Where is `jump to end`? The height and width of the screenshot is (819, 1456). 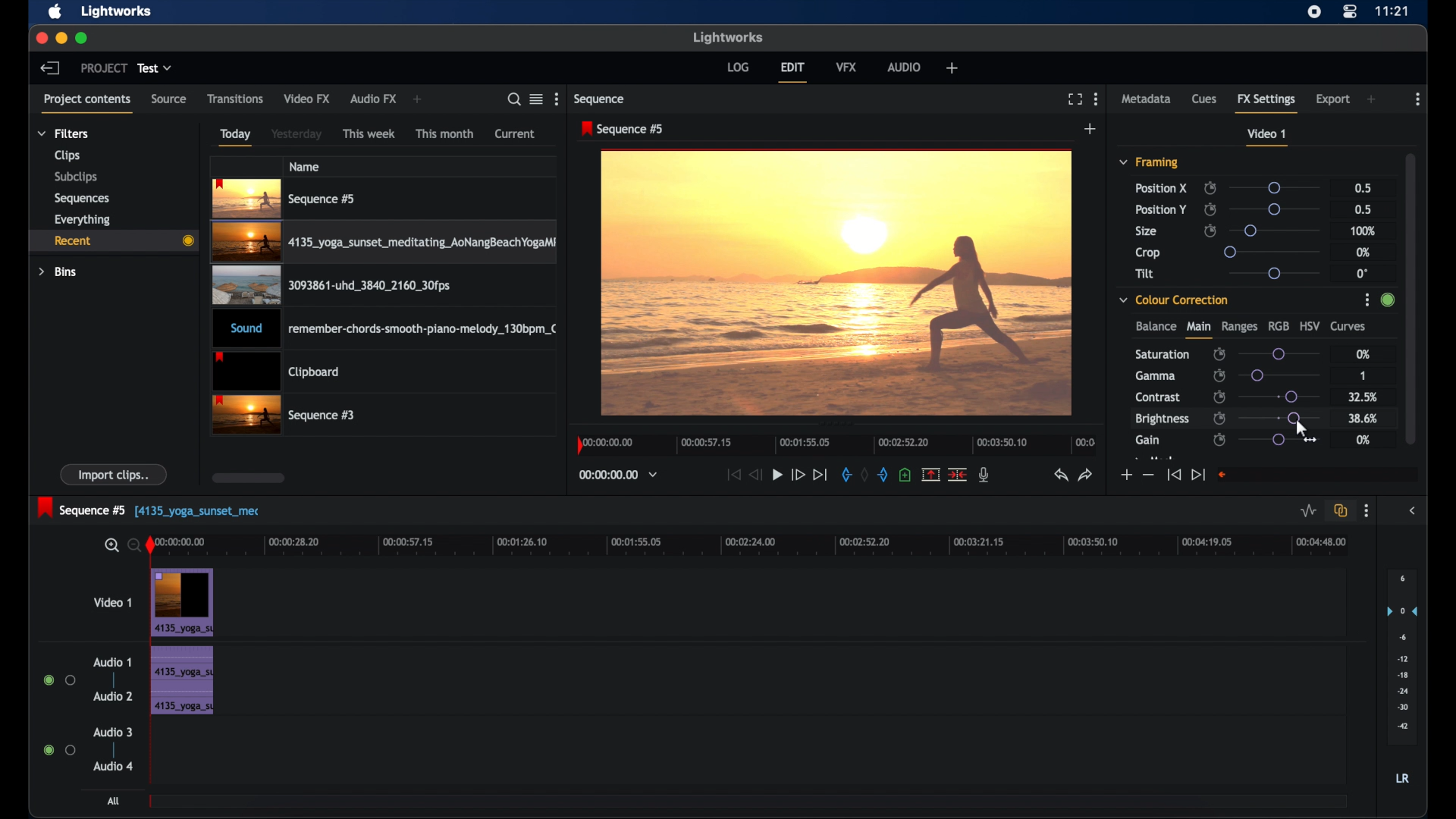
jump to end is located at coordinates (1197, 475).